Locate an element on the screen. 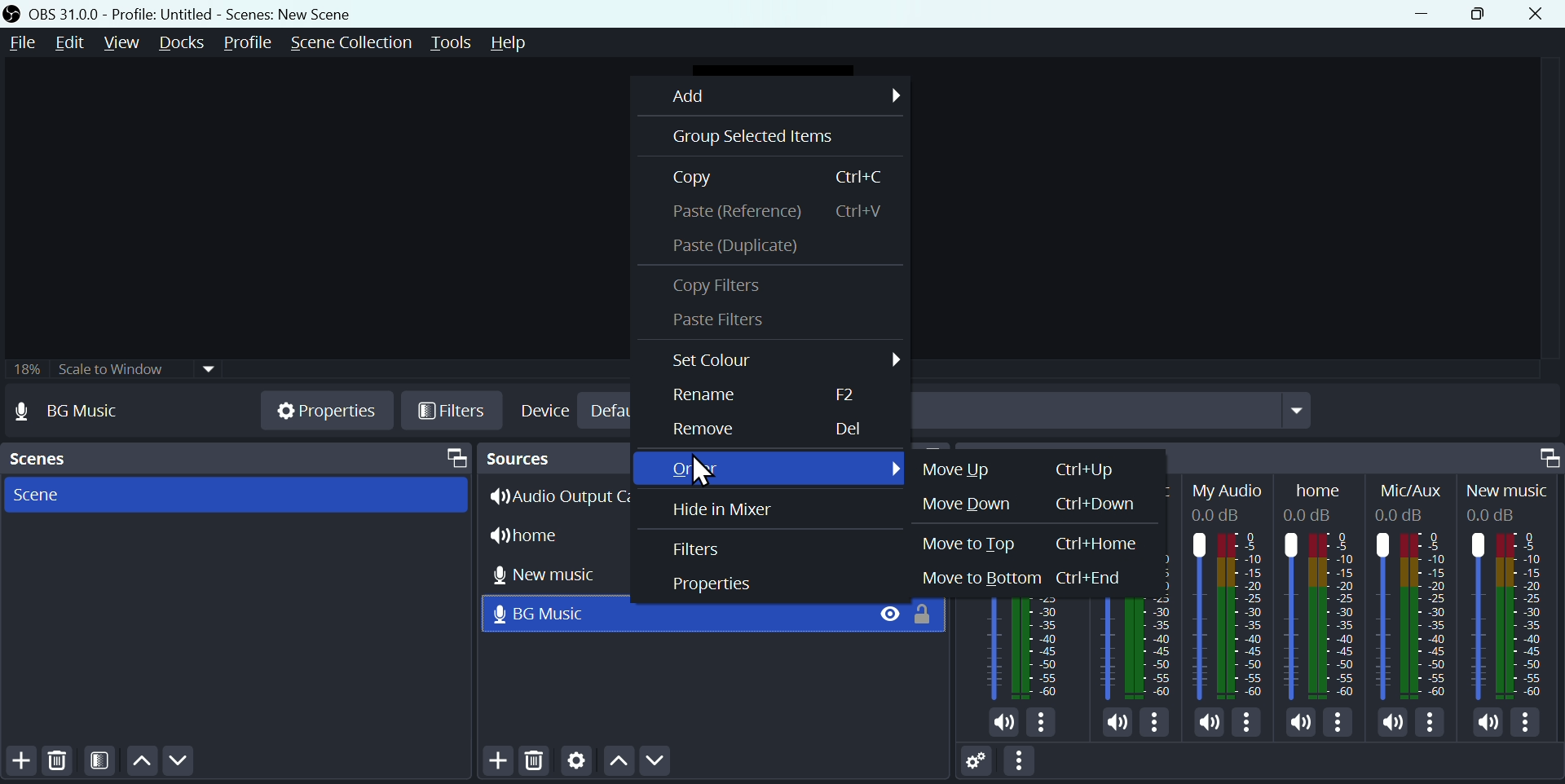 The image size is (1565, 784). minimise is located at coordinates (1414, 13).